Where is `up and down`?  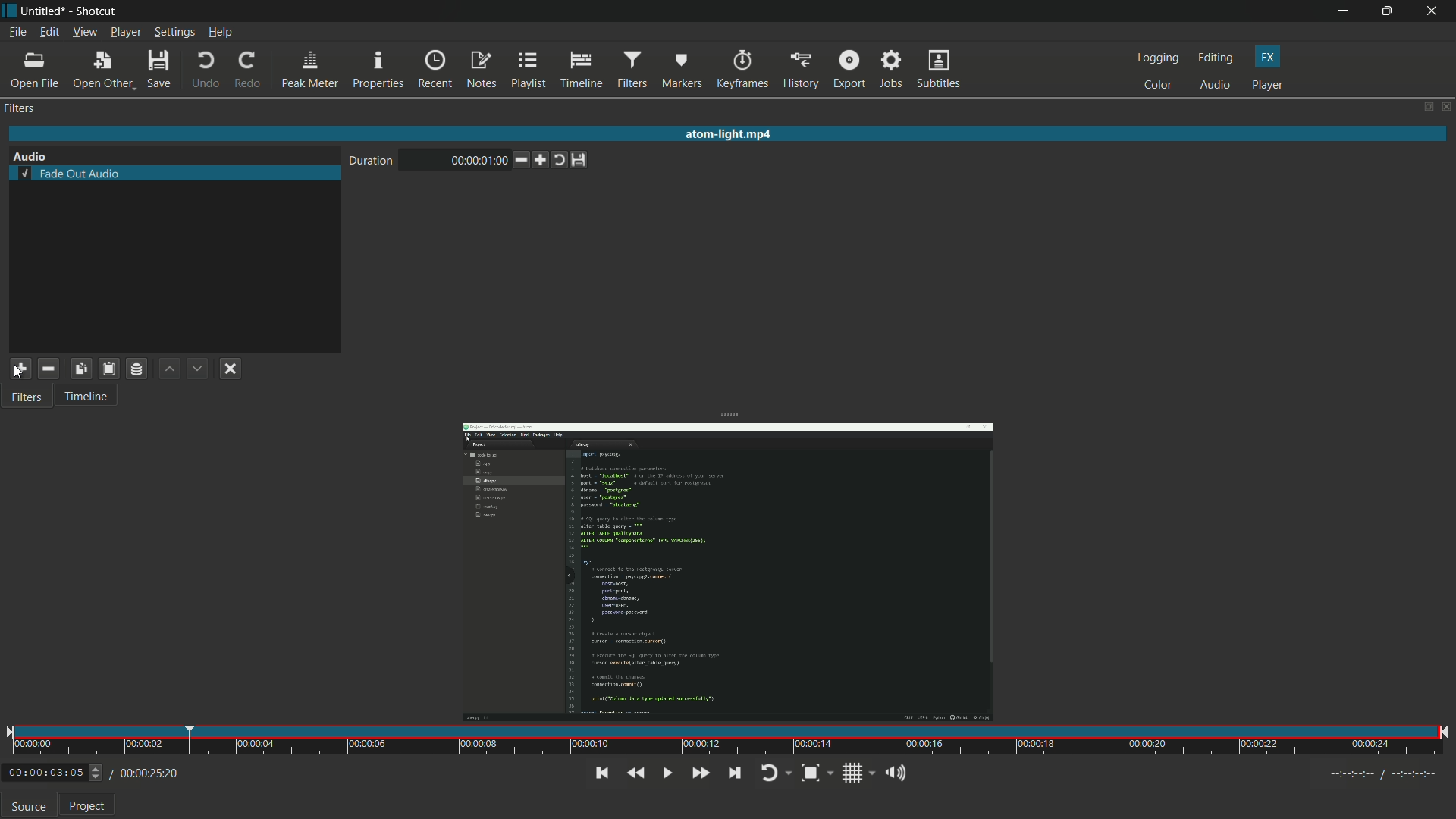
up and down is located at coordinates (98, 773).